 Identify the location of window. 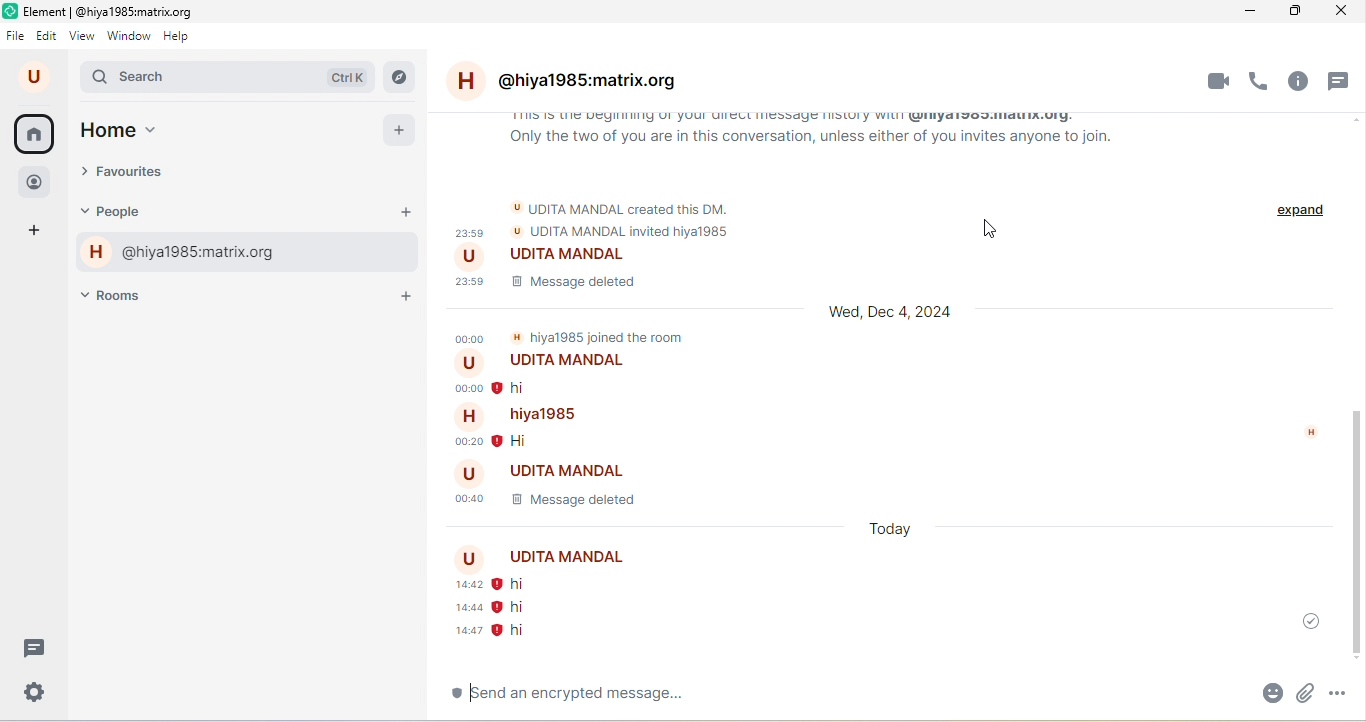
(129, 35).